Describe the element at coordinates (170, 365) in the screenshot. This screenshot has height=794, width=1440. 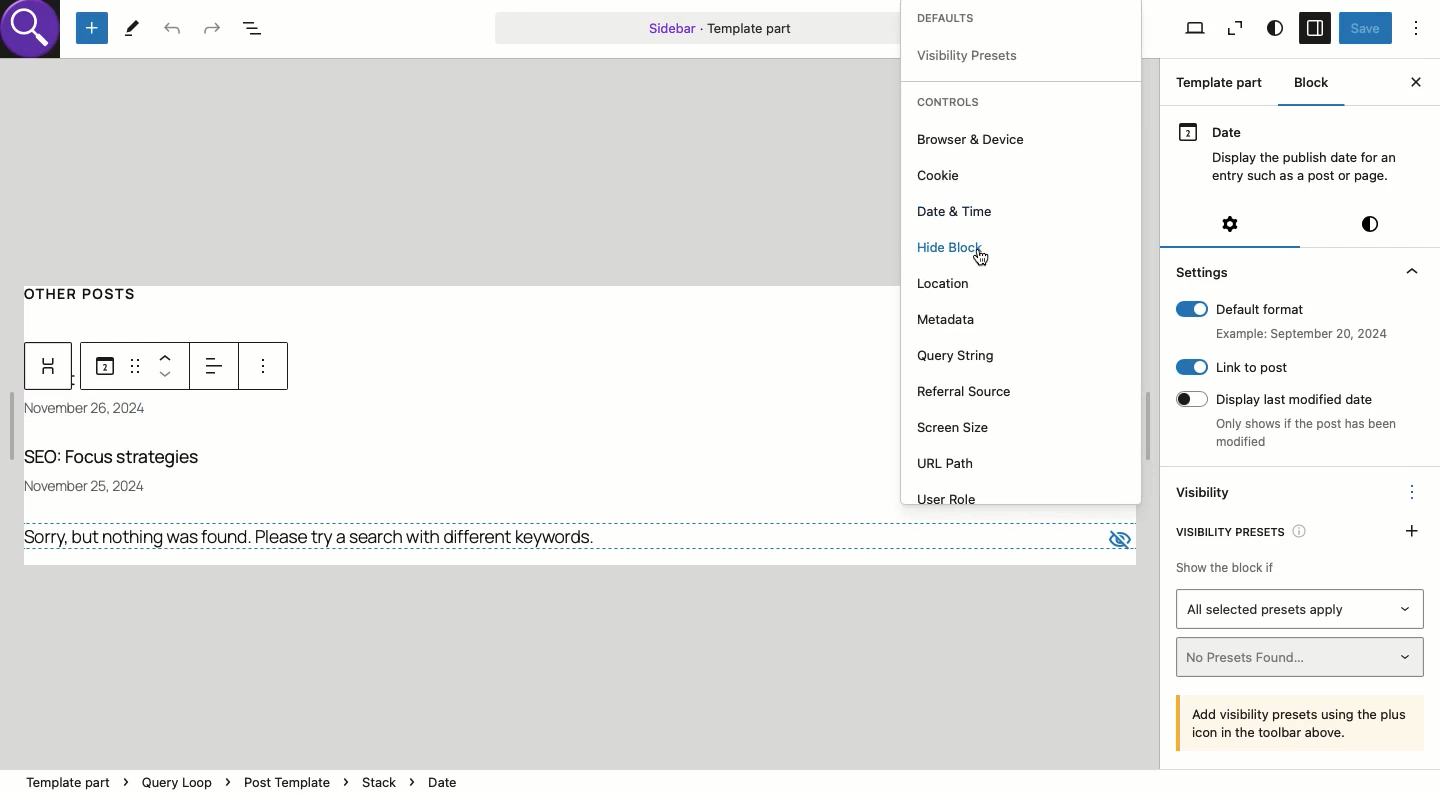
I see `Move up down` at that location.